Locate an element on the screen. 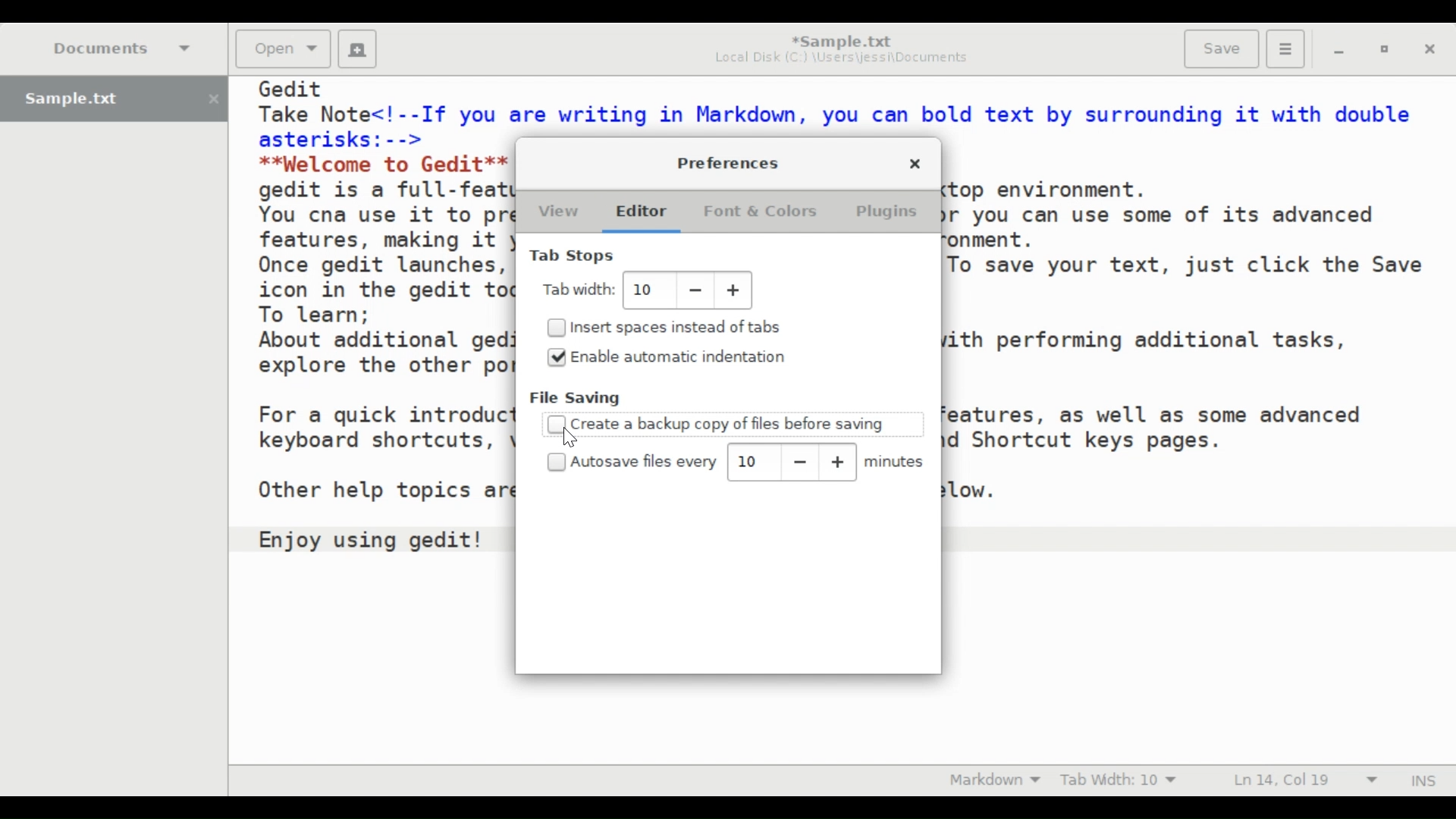 The width and height of the screenshot is (1456, 819). Close is located at coordinates (915, 165).